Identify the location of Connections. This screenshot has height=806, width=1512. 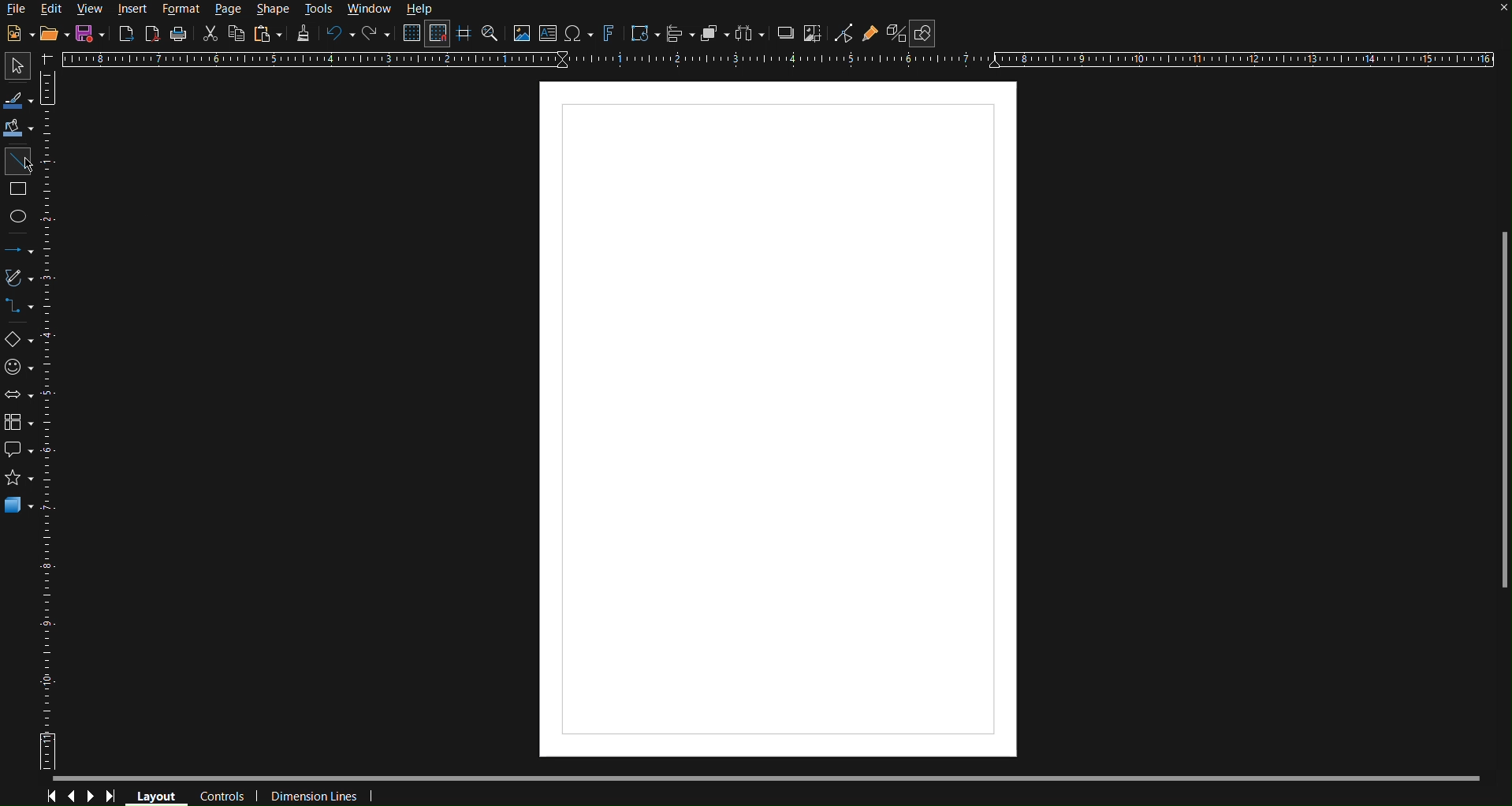
(20, 306).